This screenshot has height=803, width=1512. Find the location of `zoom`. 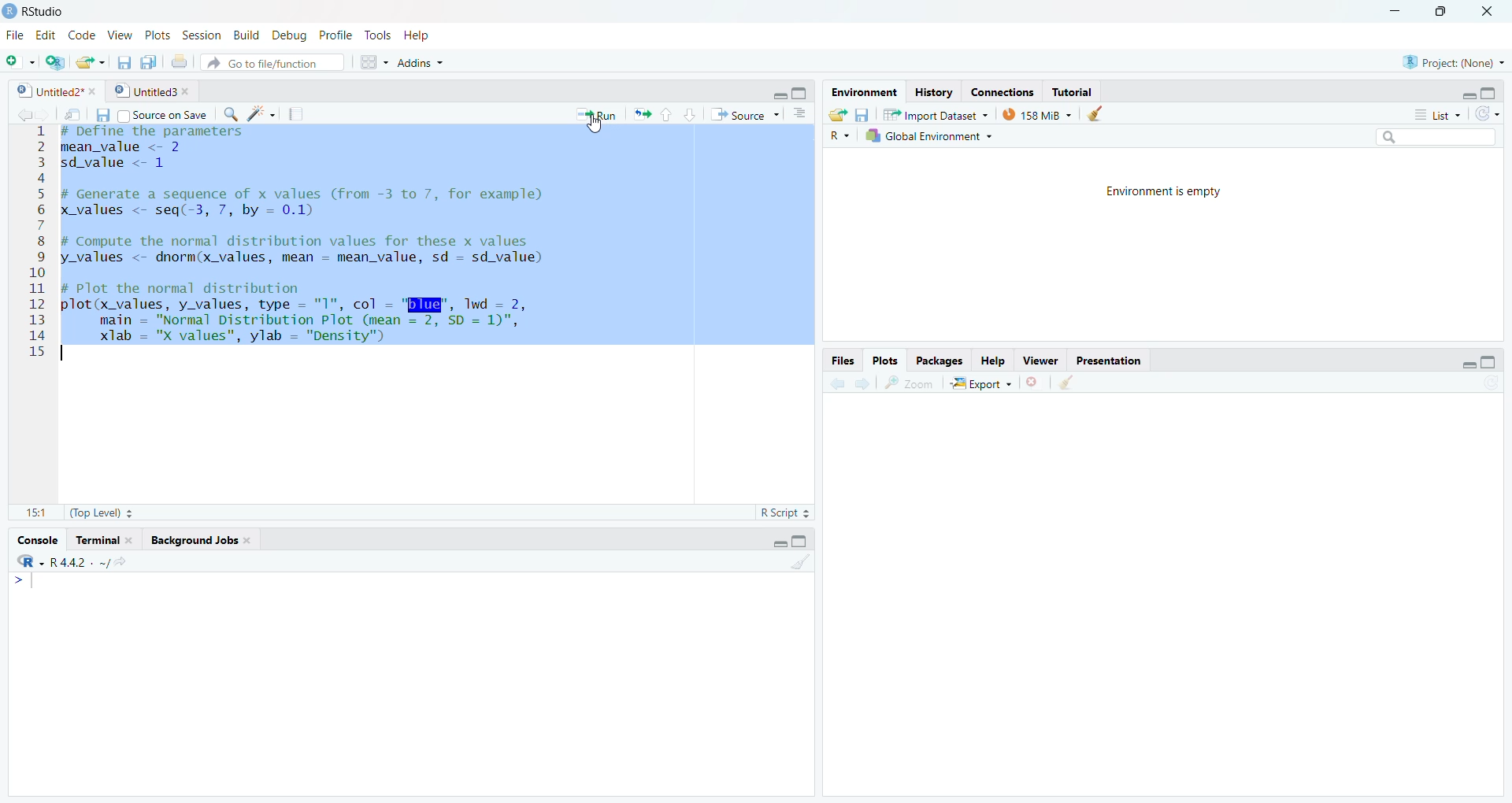

zoom is located at coordinates (914, 380).